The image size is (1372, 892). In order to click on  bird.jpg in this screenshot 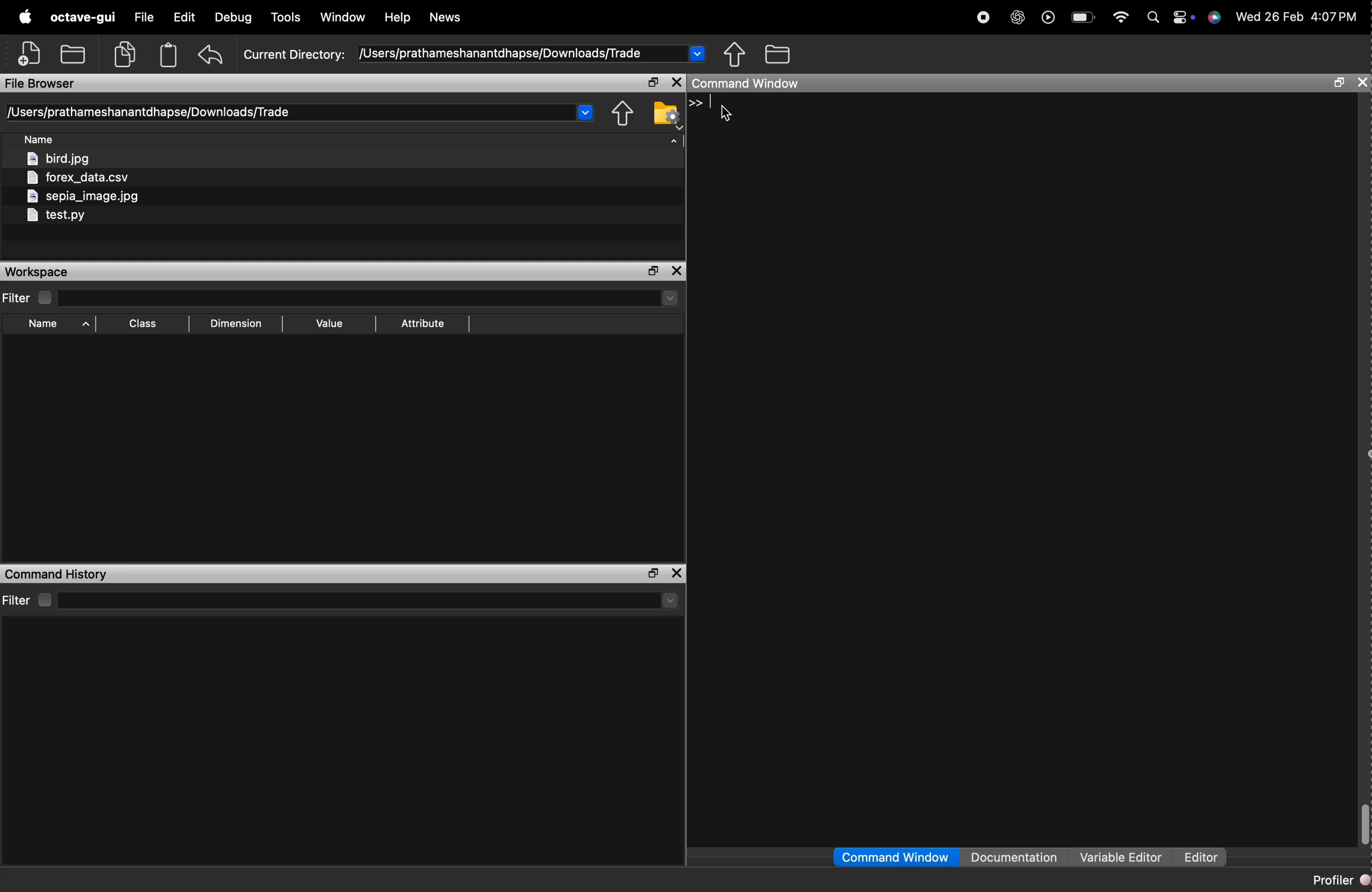, I will do `click(58, 157)`.